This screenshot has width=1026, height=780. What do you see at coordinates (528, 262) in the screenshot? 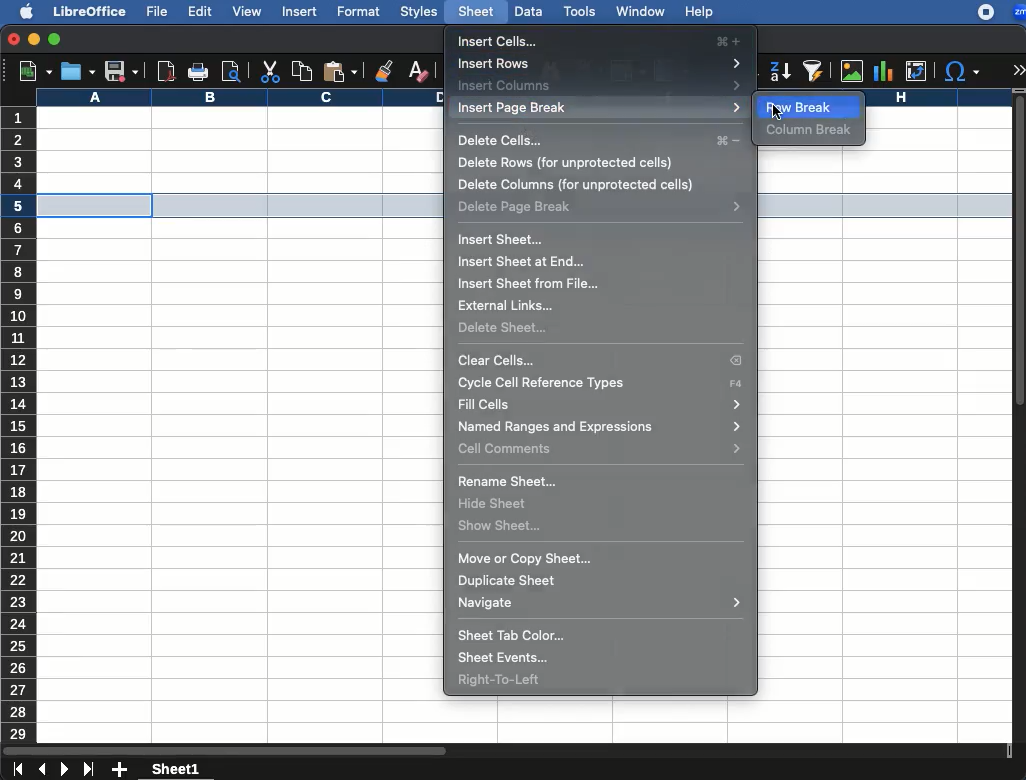
I see `insert sheet at end` at bounding box center [528, 262].